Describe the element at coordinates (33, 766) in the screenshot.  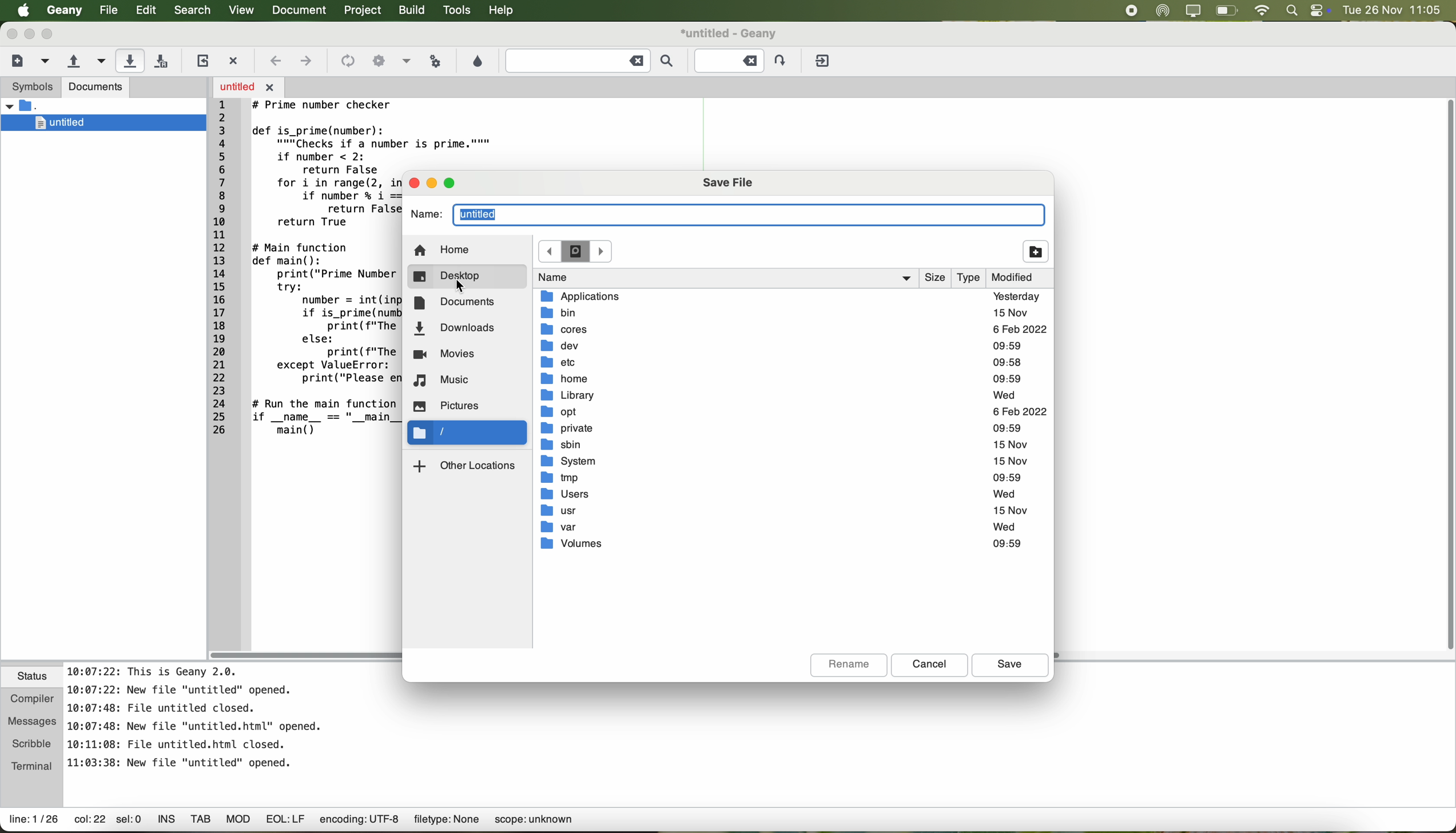
I see `terminal` at that location.